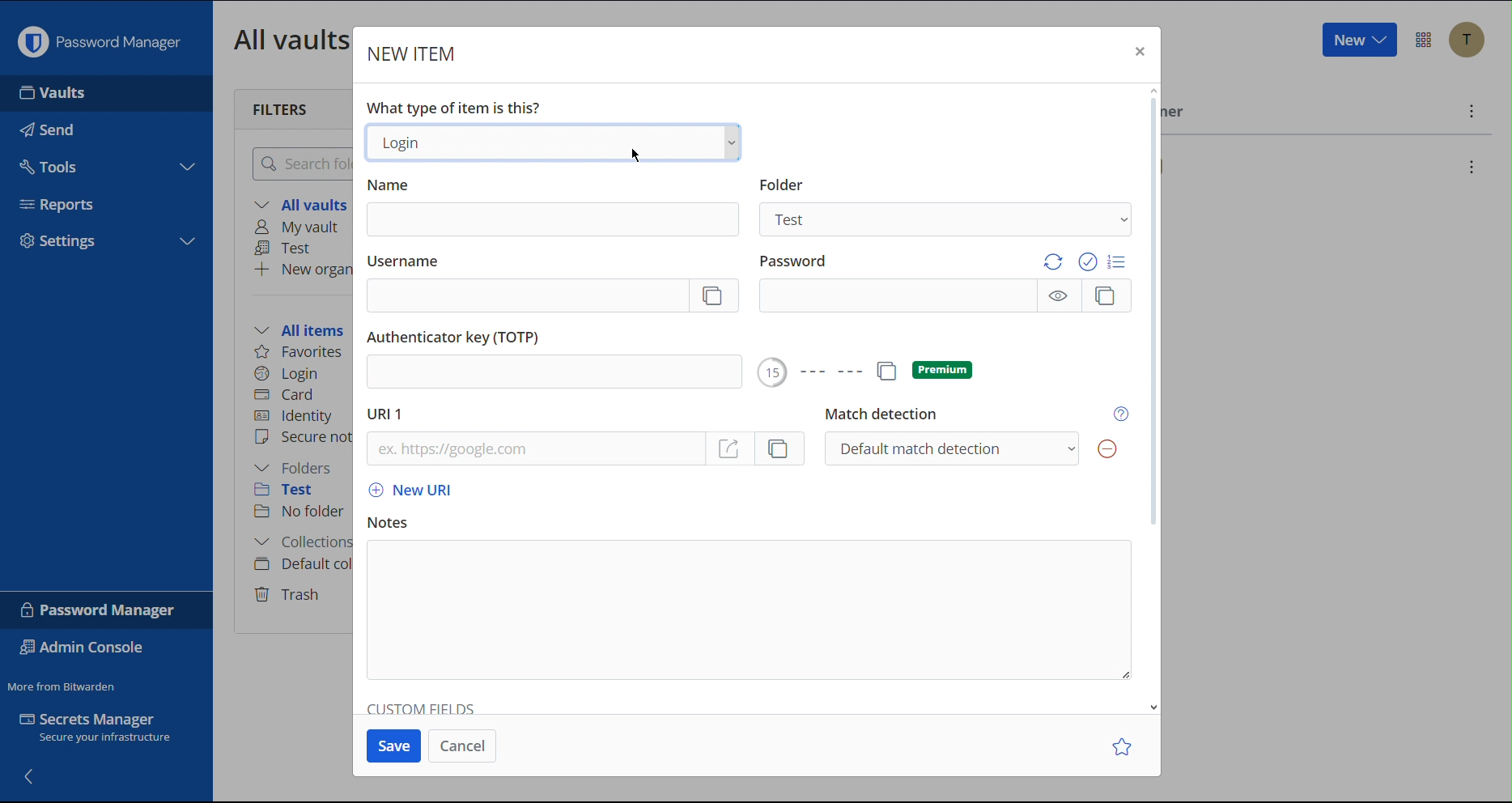 The image size is (1512, 803). What do you see at coordinates (302, 439) in the screenshot?
I see `Secure` at bounding box center [302, 439].